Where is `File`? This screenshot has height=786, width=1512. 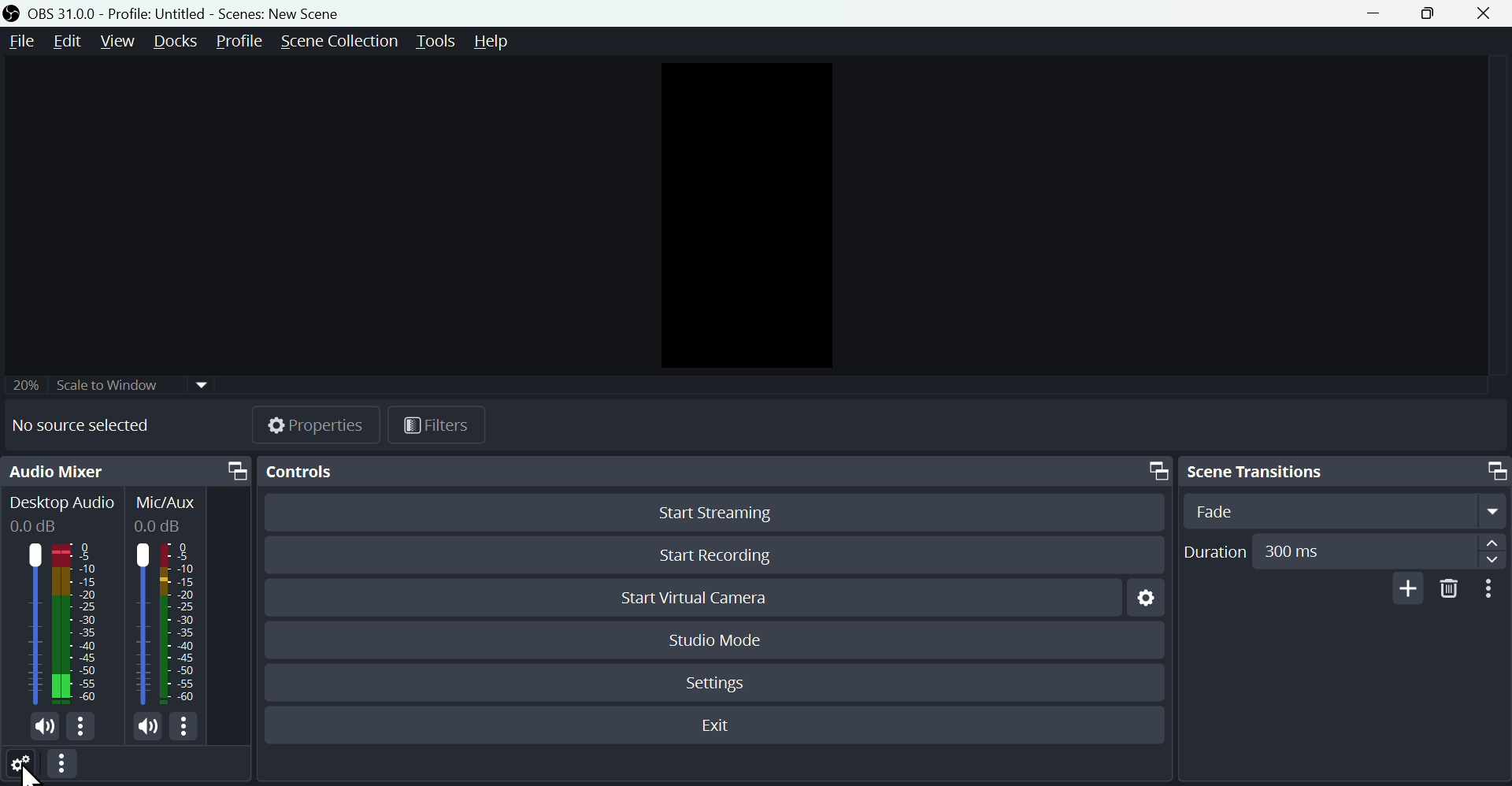 File is located at coordinates (20, 42).